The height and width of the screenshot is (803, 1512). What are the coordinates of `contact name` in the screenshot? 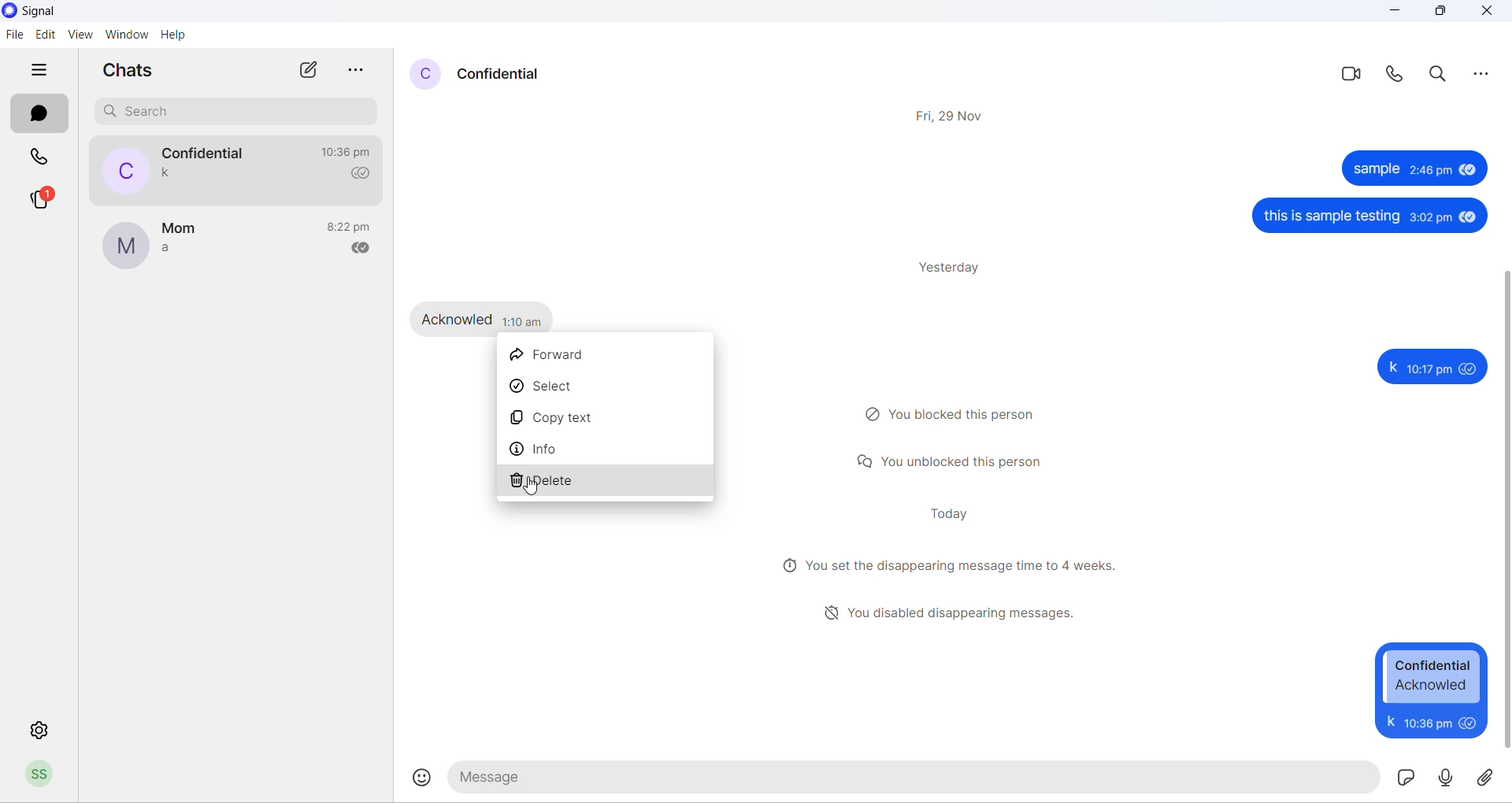 It's located at (206, 154).